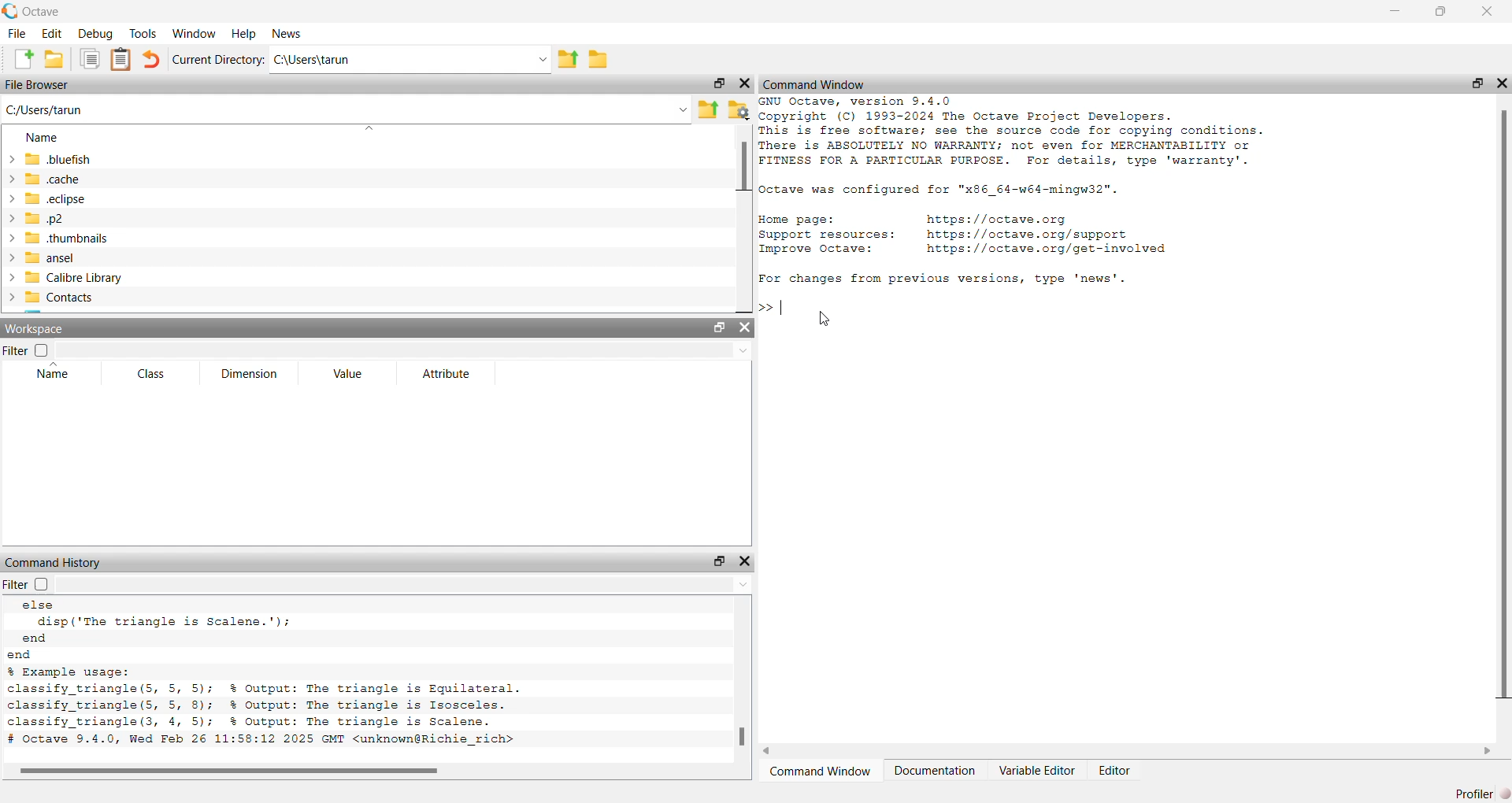  What do you see at coordinates (784, 308) in the screenshot?
I see `typing cursor` at bounding box center [784, 308].